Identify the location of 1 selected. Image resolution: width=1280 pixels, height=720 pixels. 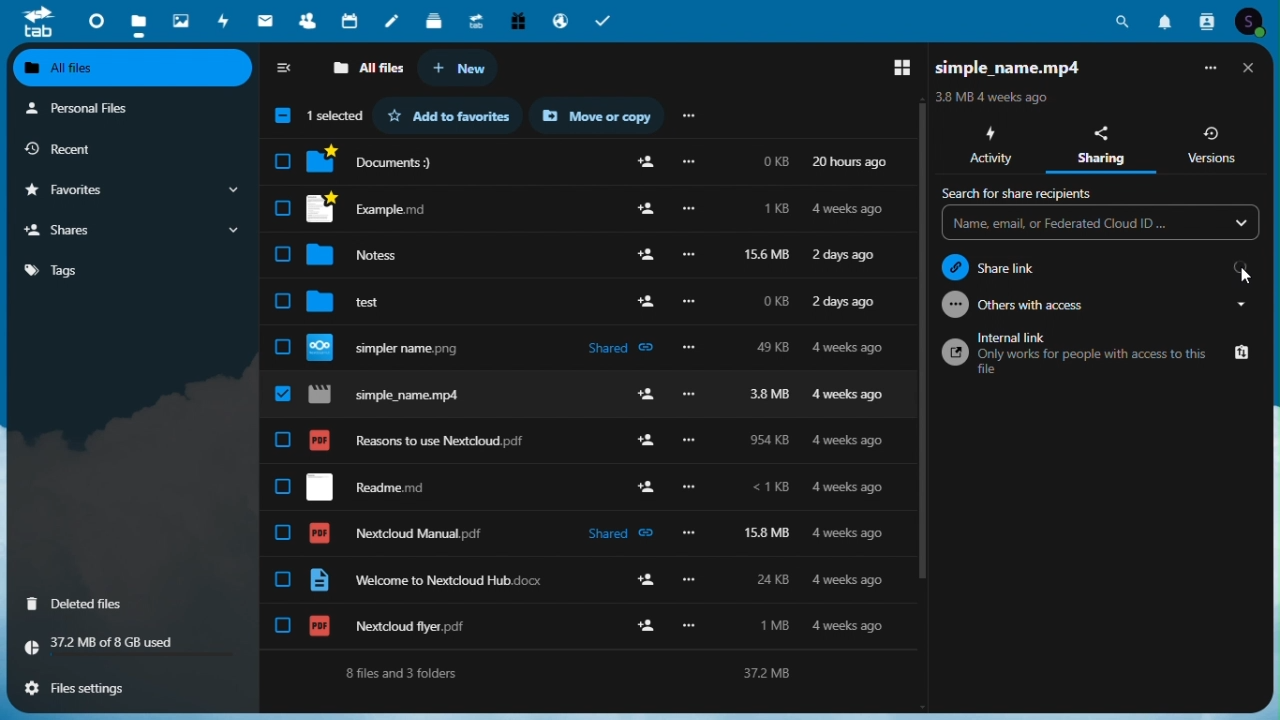
(317, 117).